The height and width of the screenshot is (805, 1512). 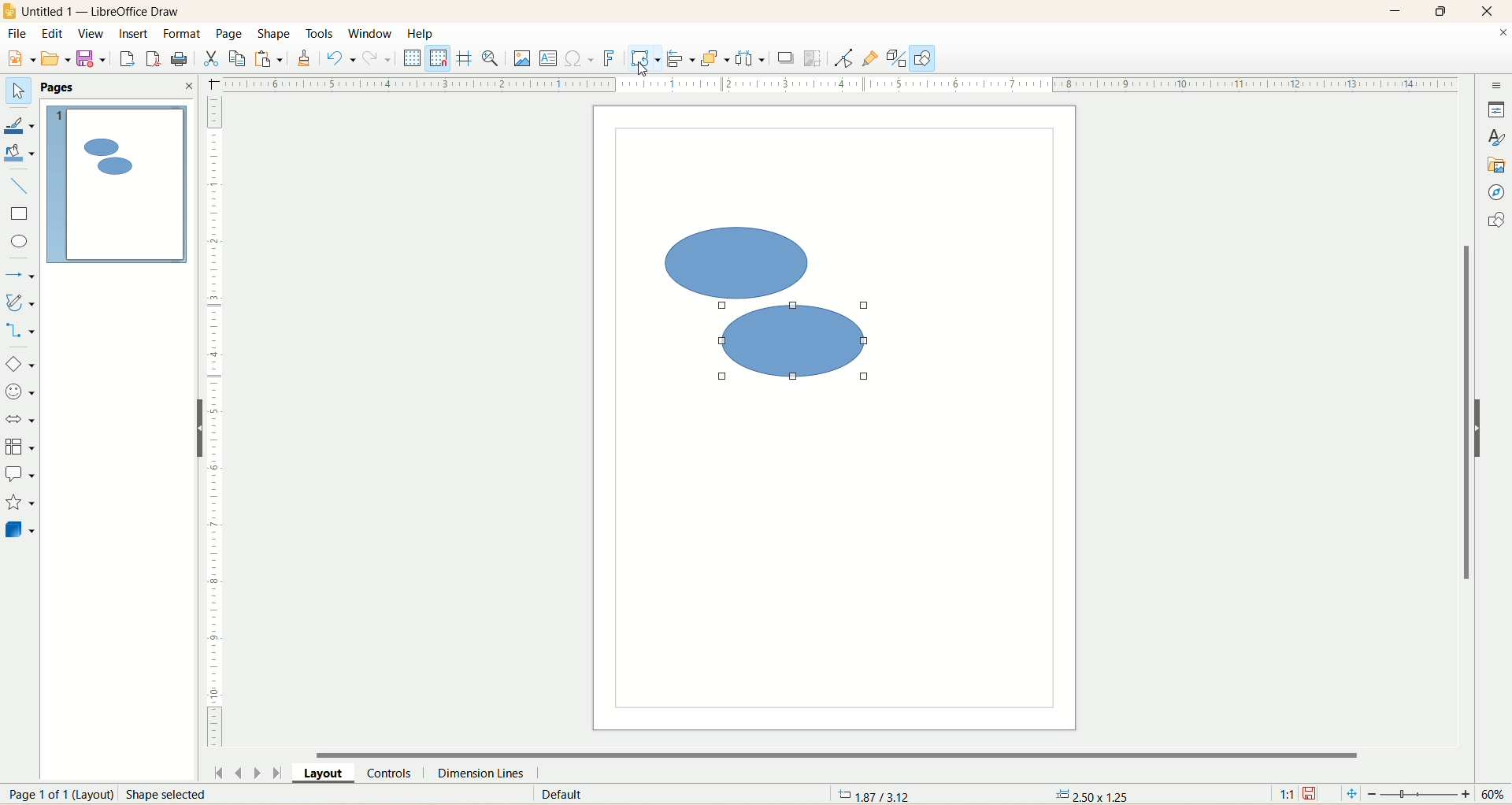 What do you see at coordinates (19, 91) in the screenshot?
I see `select` at bounding box center [19, 91].